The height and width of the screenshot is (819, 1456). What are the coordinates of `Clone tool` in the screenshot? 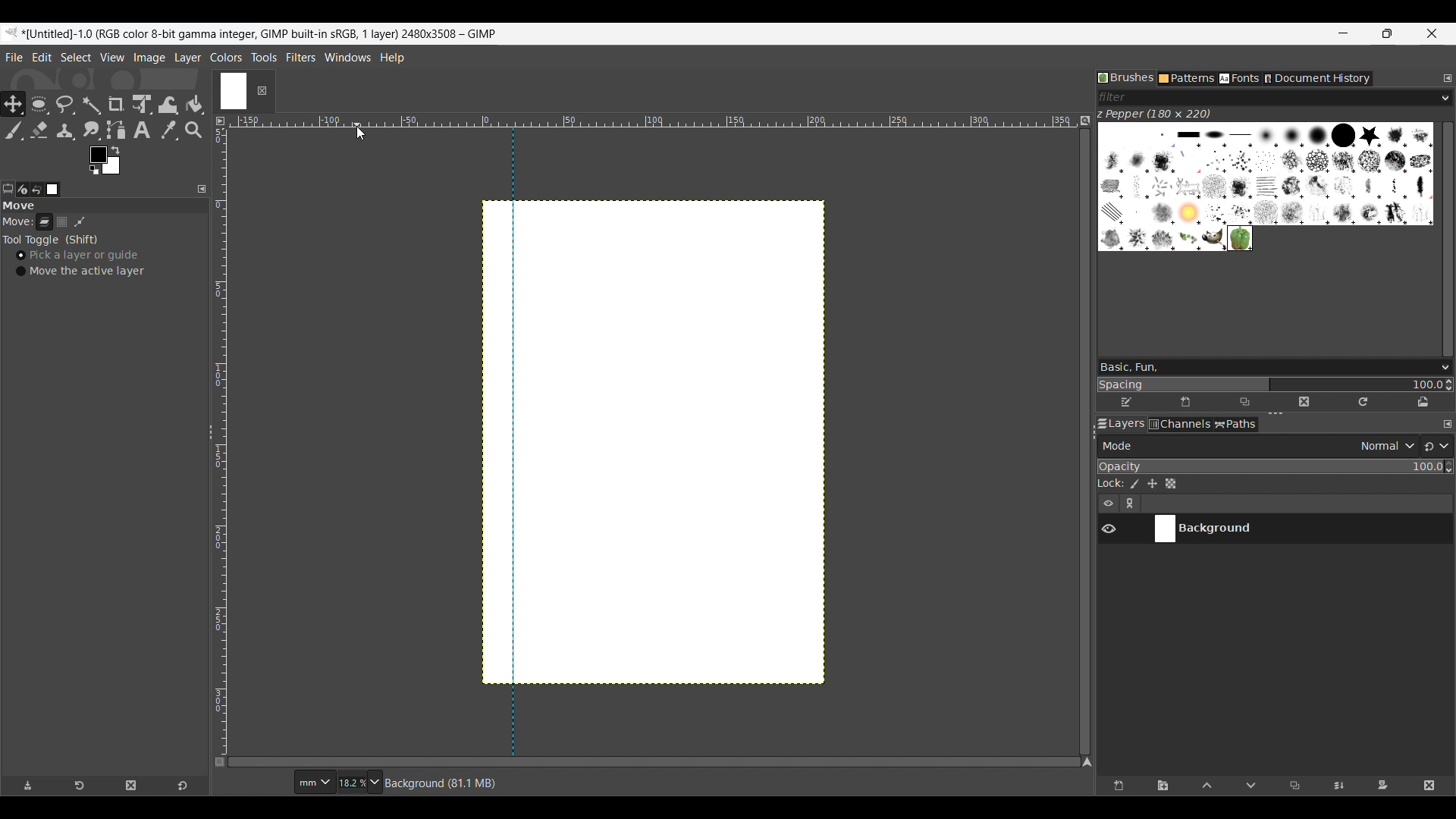 It's located at (66, 131).